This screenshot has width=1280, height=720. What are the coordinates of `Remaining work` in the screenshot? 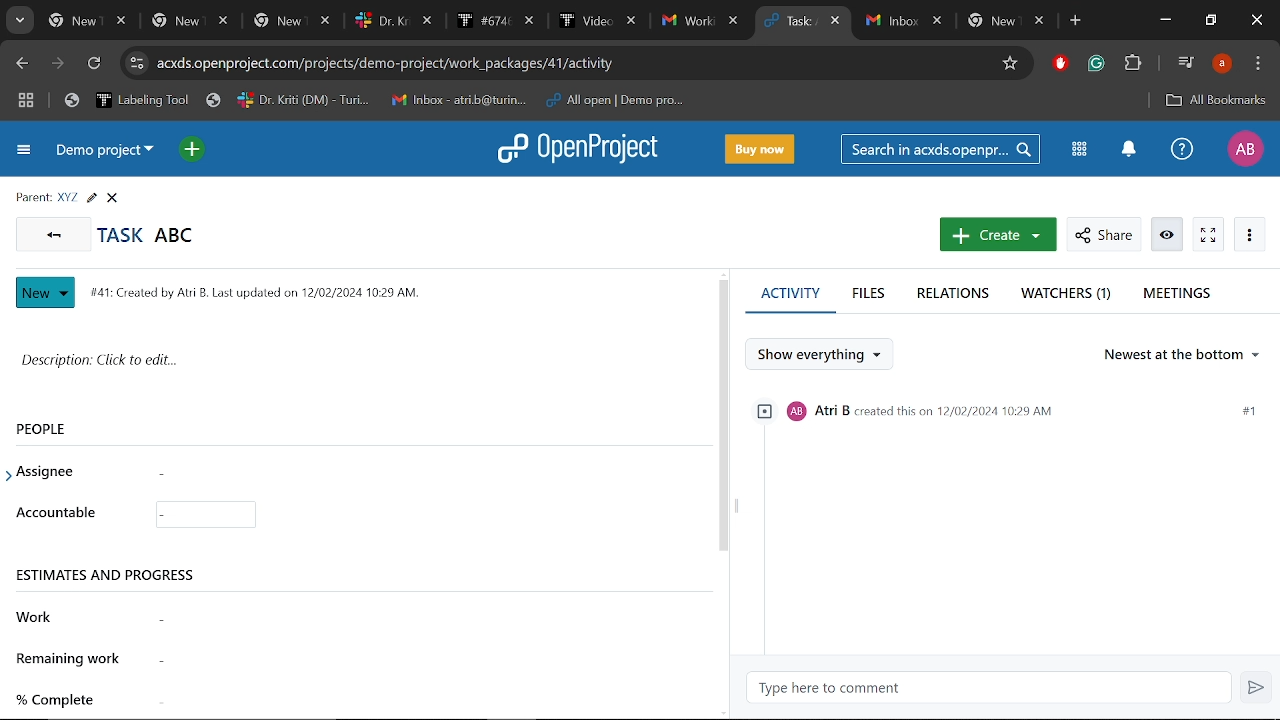 It's located at (319, 657).